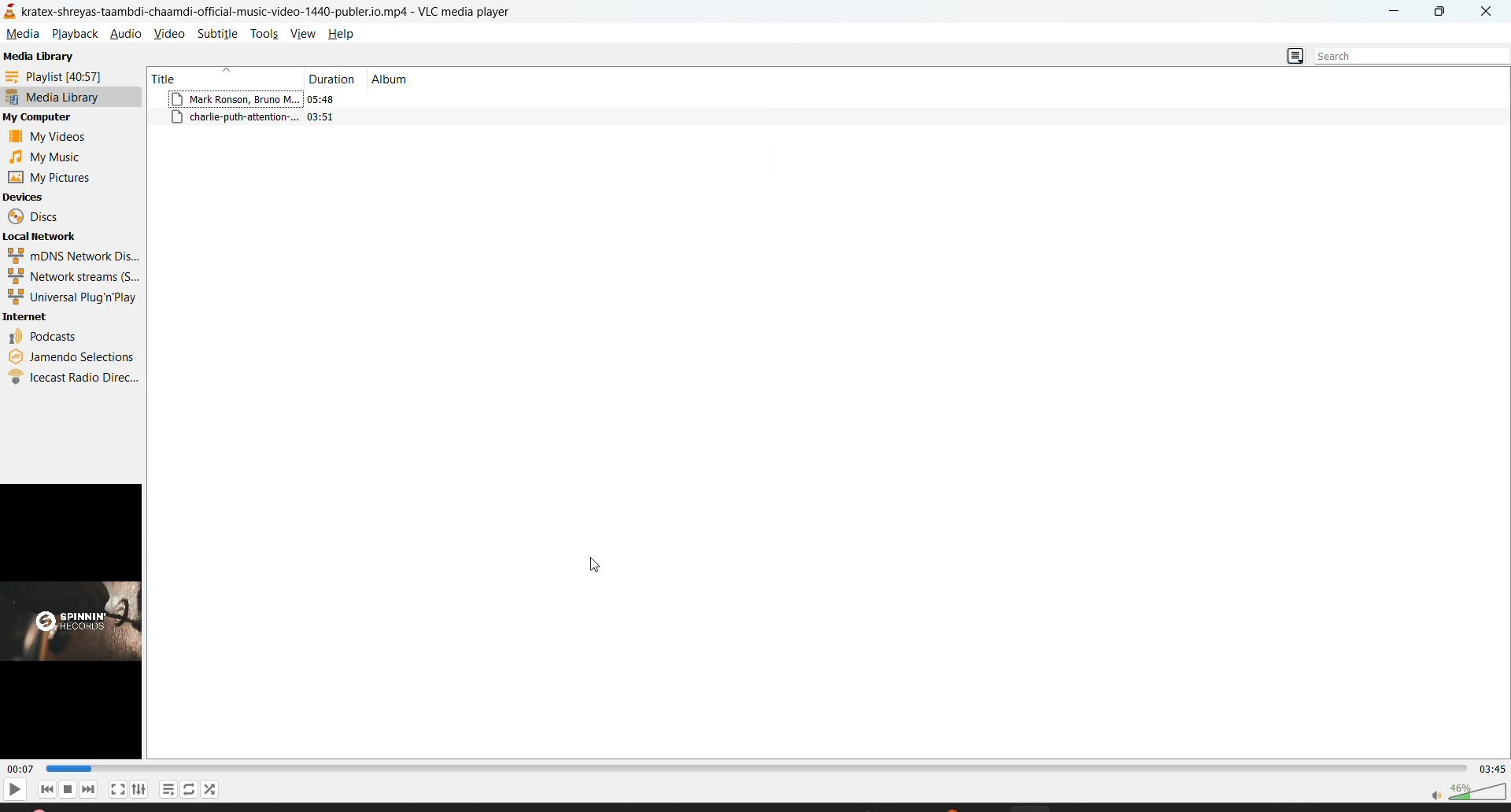 Image resolution: width=1511 pixels, height=812 pixels. I want to click on kratex-shreyas-taambdi-chaamdi-official-music-video-1440-publer.io.mp4 - VLC media player, so click(287, 9).